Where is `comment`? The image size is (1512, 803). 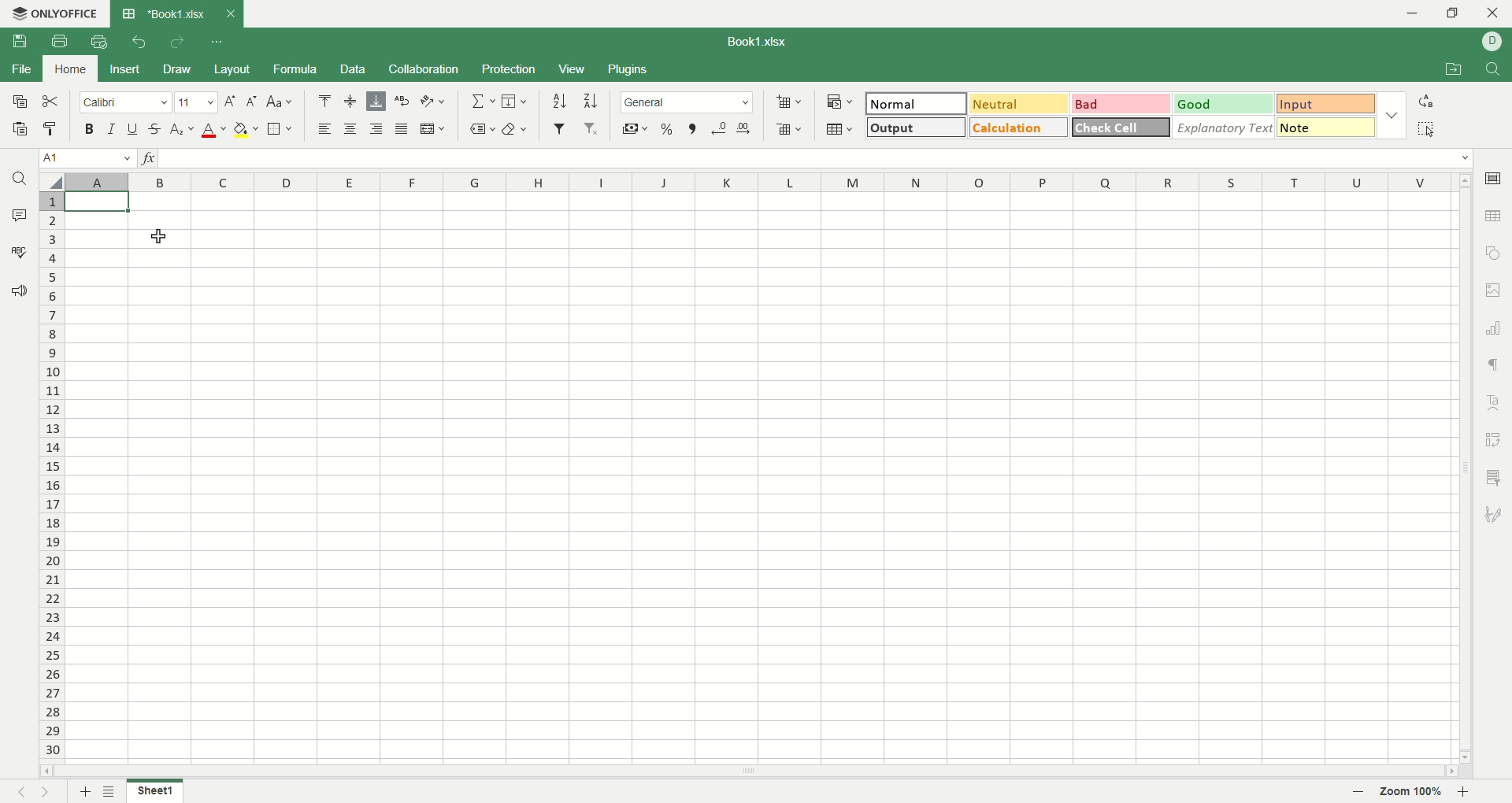
comment is located at coordinates (15, 213).